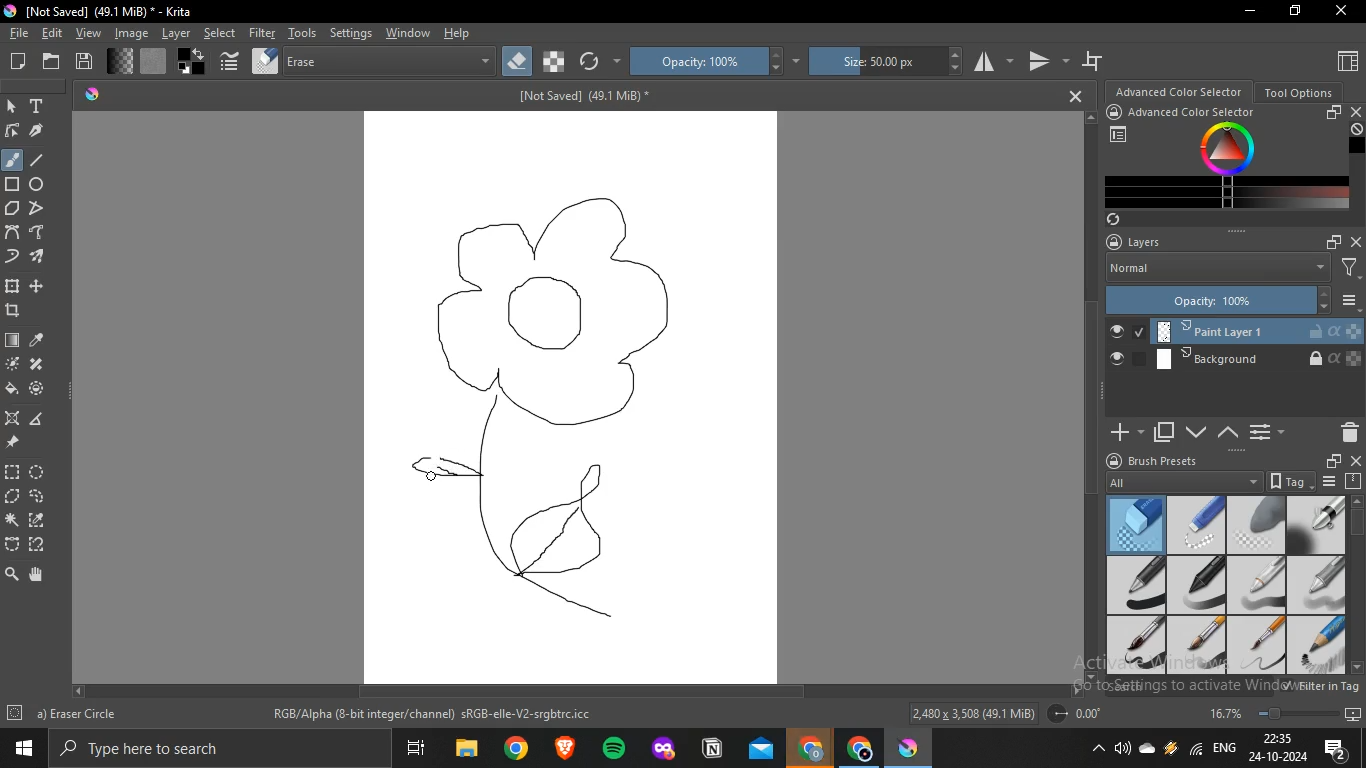 This screenshot has width=1366, height=768. I want to click on Scrollbar, so click(1357, 574).